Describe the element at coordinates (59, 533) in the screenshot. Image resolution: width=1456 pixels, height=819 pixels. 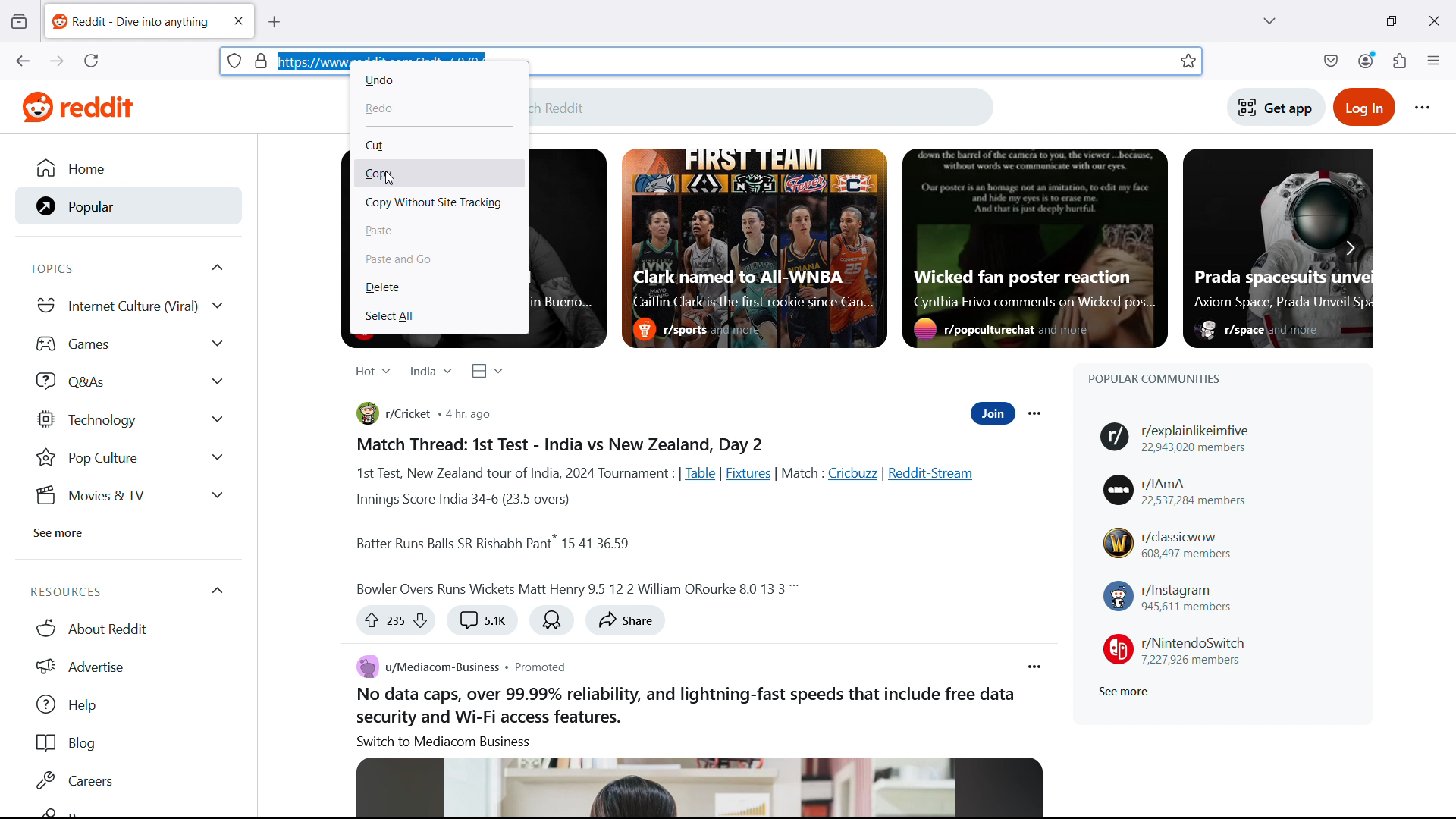
I see `See more` at that location.